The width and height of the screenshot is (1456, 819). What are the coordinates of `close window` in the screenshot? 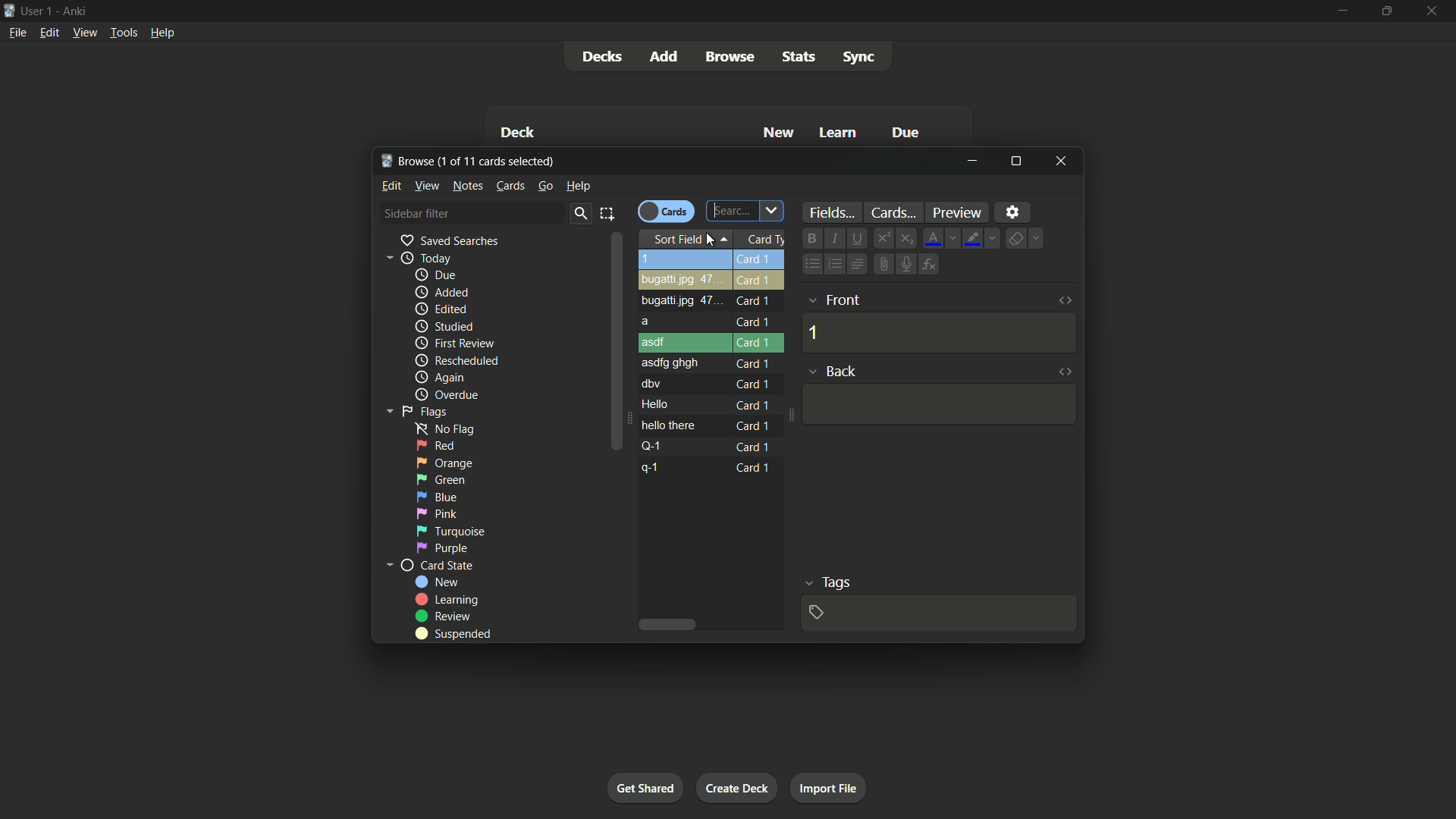 It's located at (1062, 162).